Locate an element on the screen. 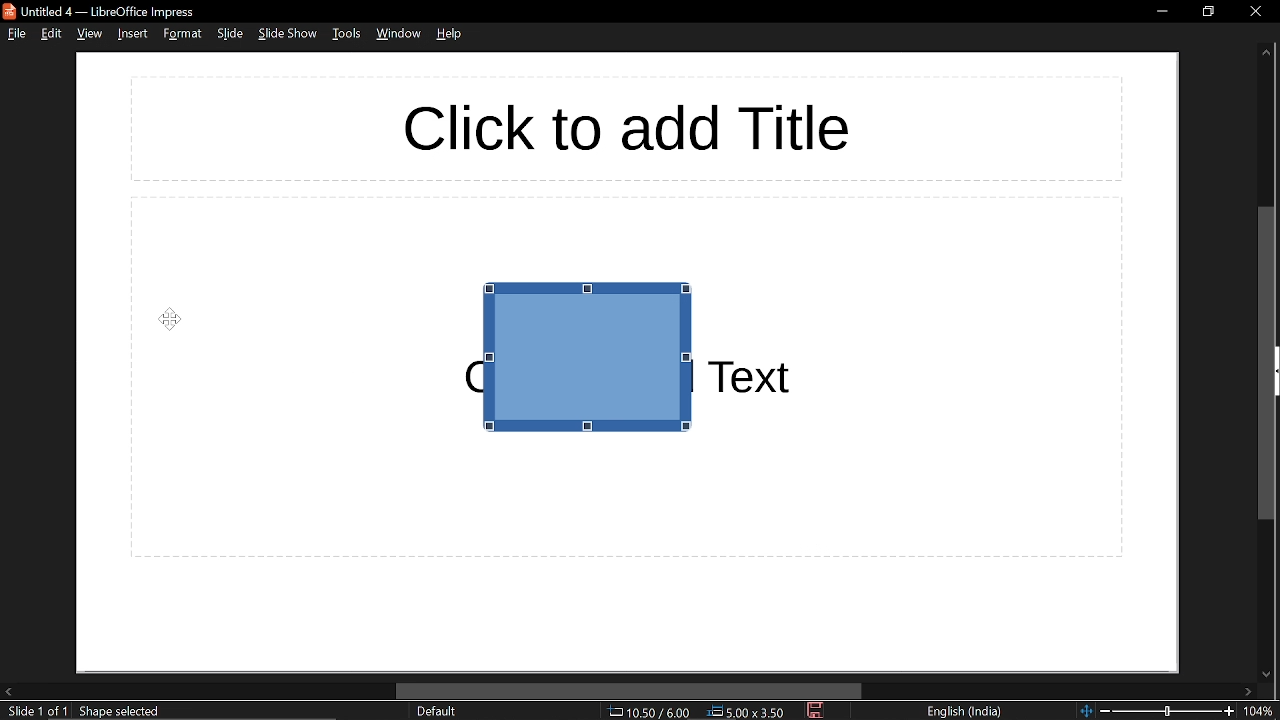  Move down is located at coordinates (1266, 672).